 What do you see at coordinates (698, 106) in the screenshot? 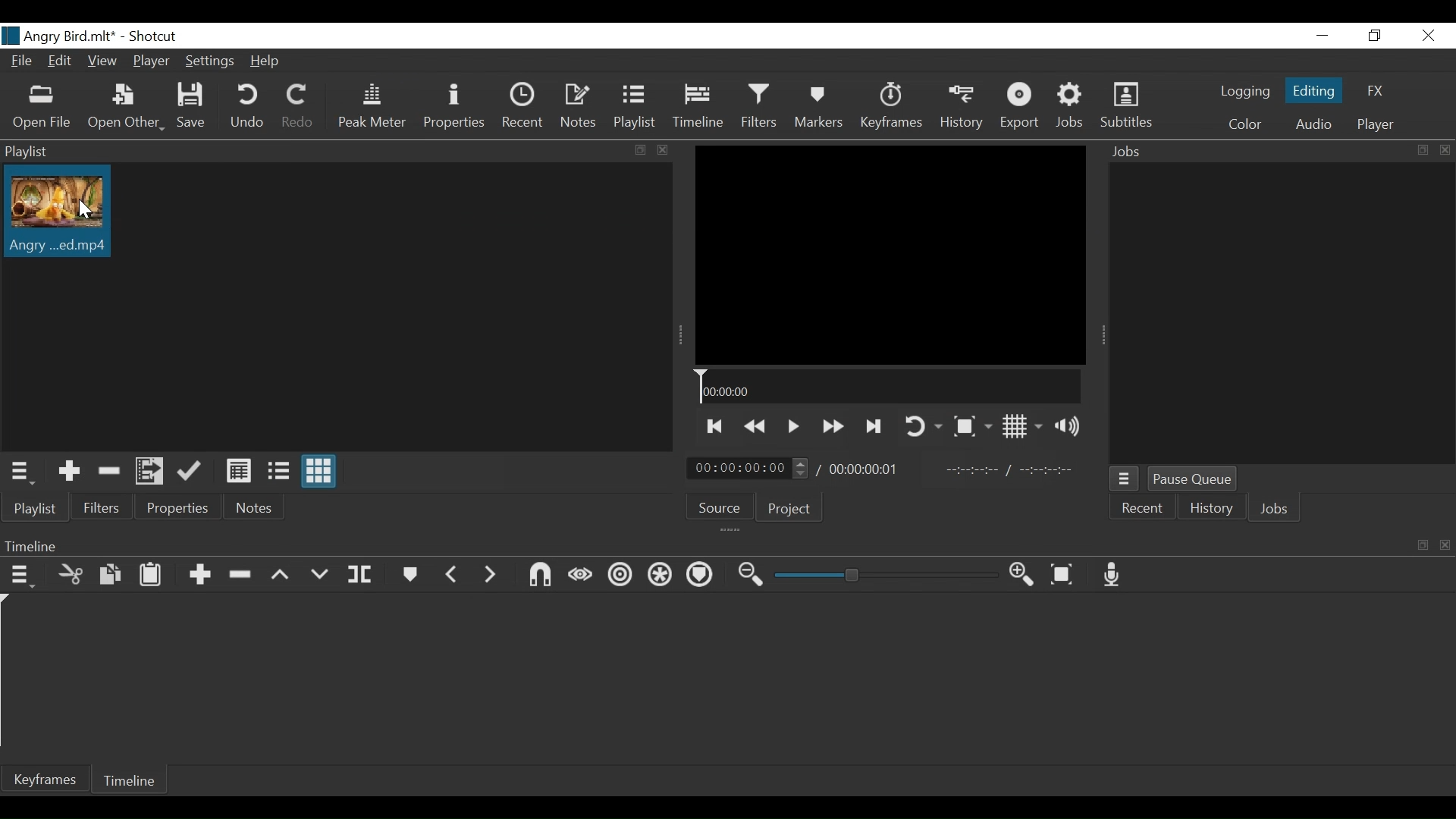
I see `Timeline` at bounding box center [698, 106].